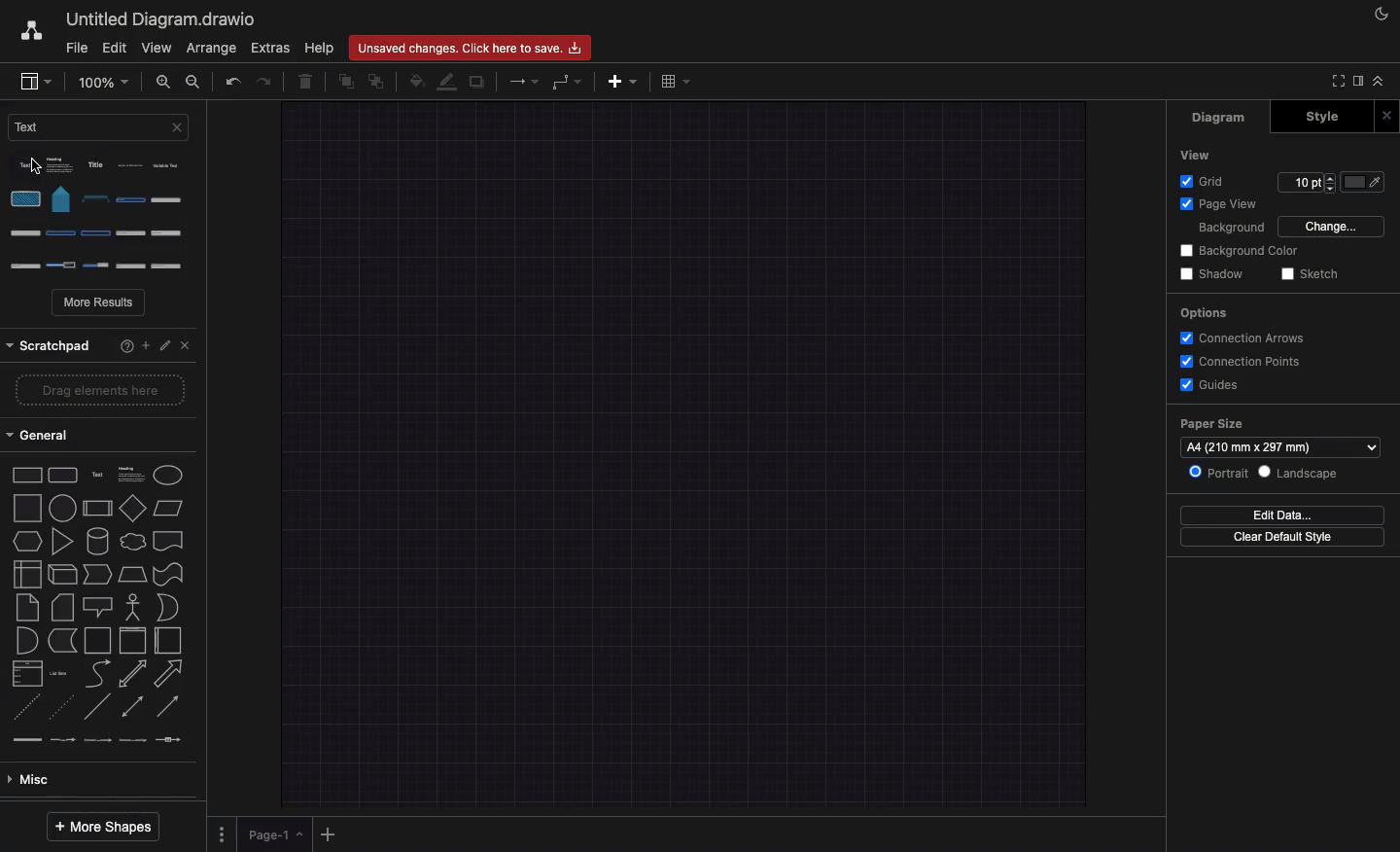 The height and width of the screenshot is (852, 1400). Describe the element at coordinates (1207, 180) in the screenshot. I see `Grid` at that location.